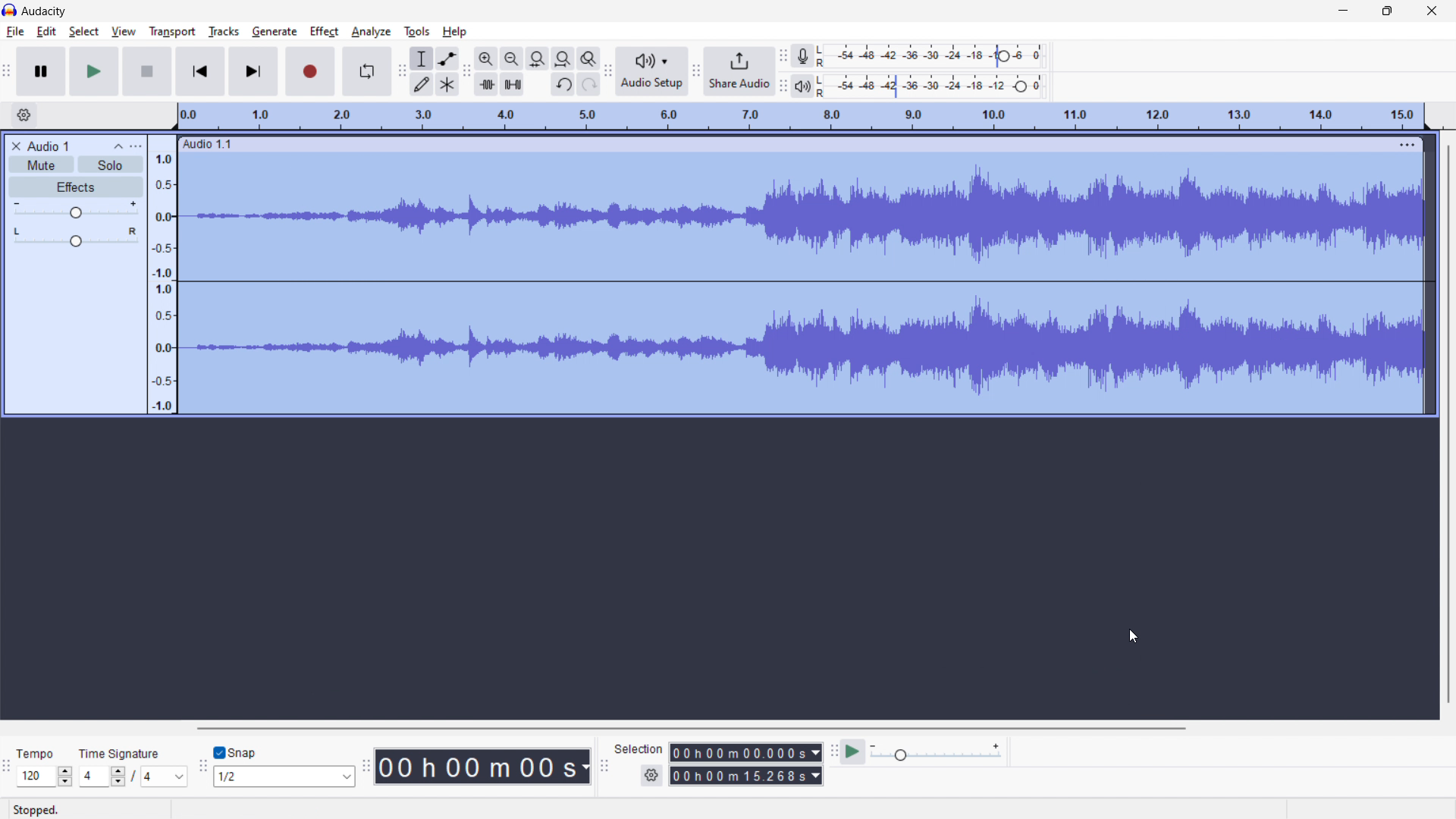  What do you see at coordinates (148, 71) in the screenshot?
I see `stop` at bounding box center [148, 71].